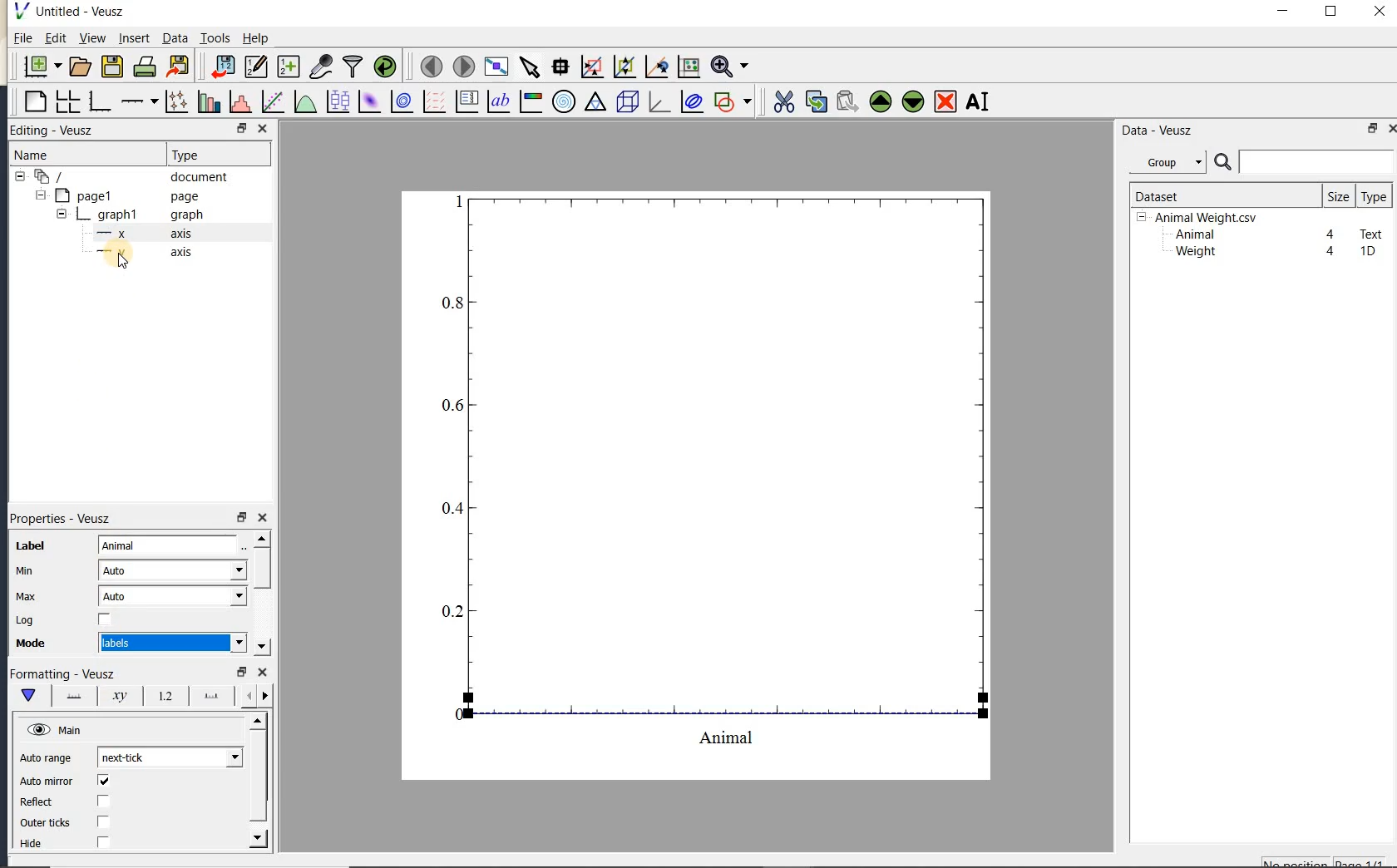 The height and width of the screenshot is (868, 1397). What do you see at coordinates (105, 620) in the screenshot?
I see `check/uncheck` at bounding box center [105, 620].